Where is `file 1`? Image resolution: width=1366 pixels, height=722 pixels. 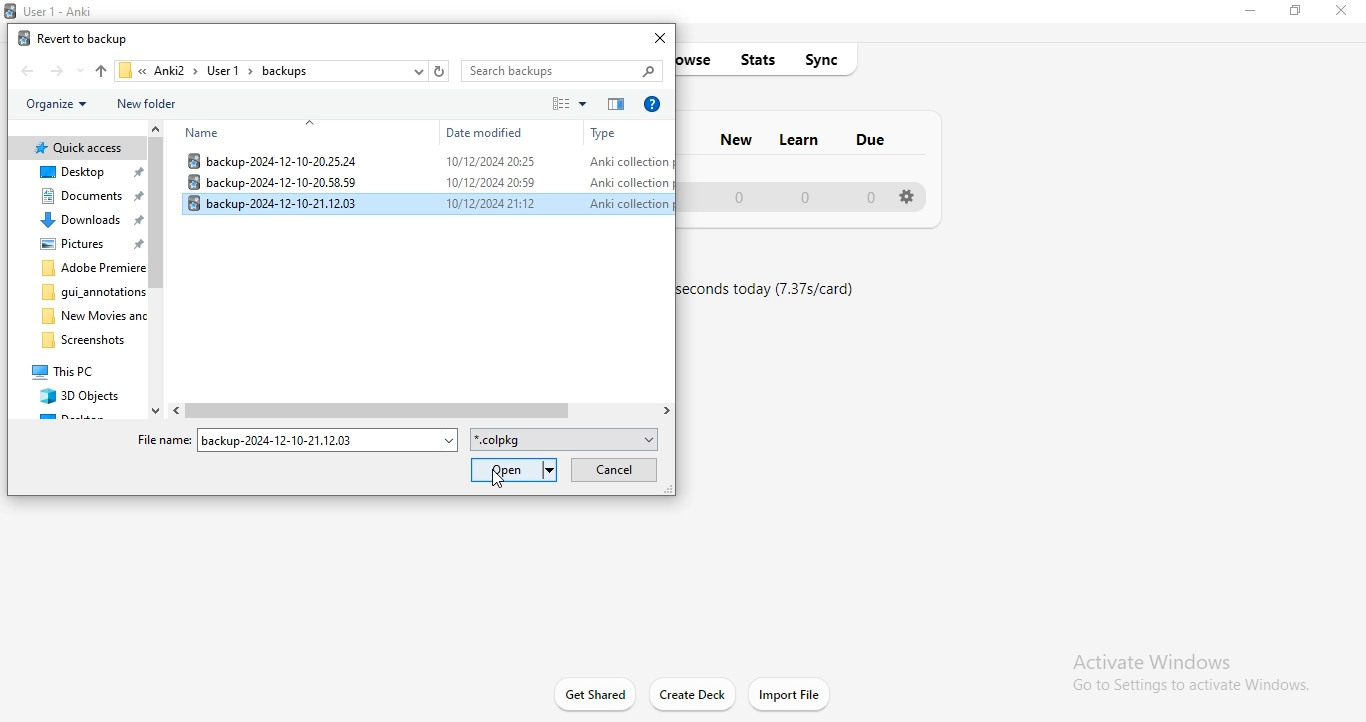
file 1 is located at coordinates (424, 160).